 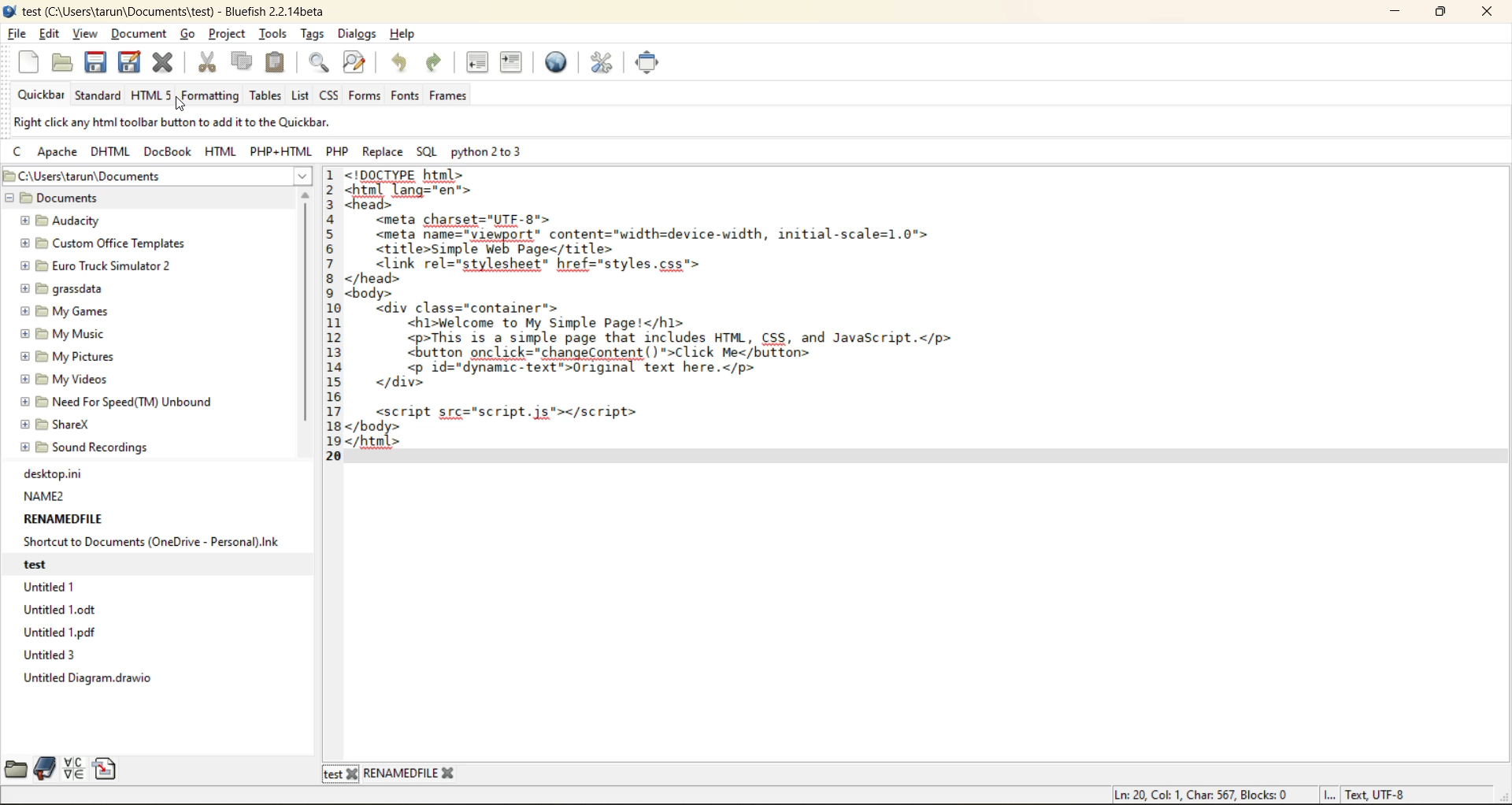 What do you see at coordinates (62, 310) in the screenshot?
I see `# 9 My Games` at bounding box center [62, 310].